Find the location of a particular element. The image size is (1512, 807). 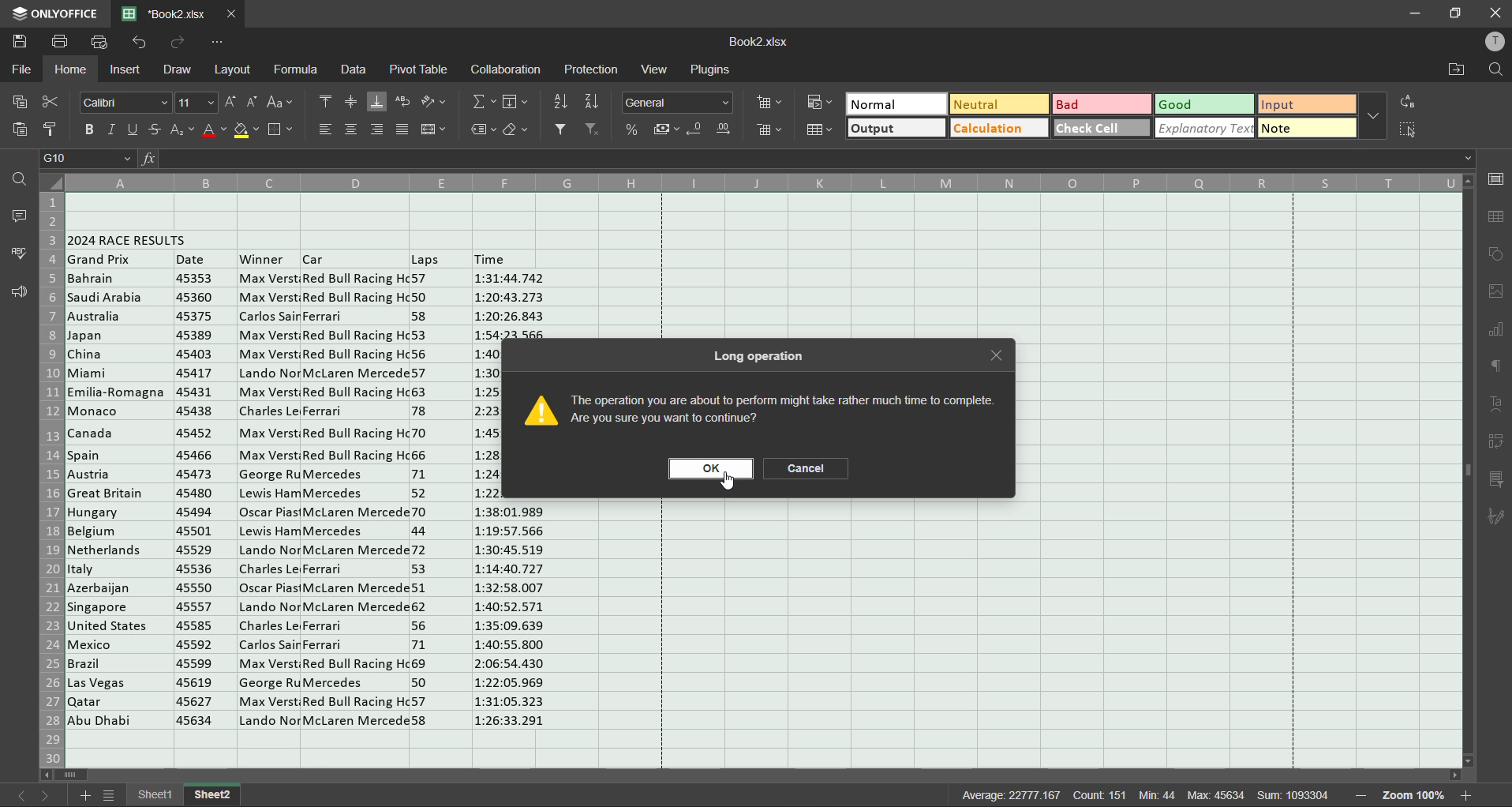

plugins is located at coordinates (710, 72).